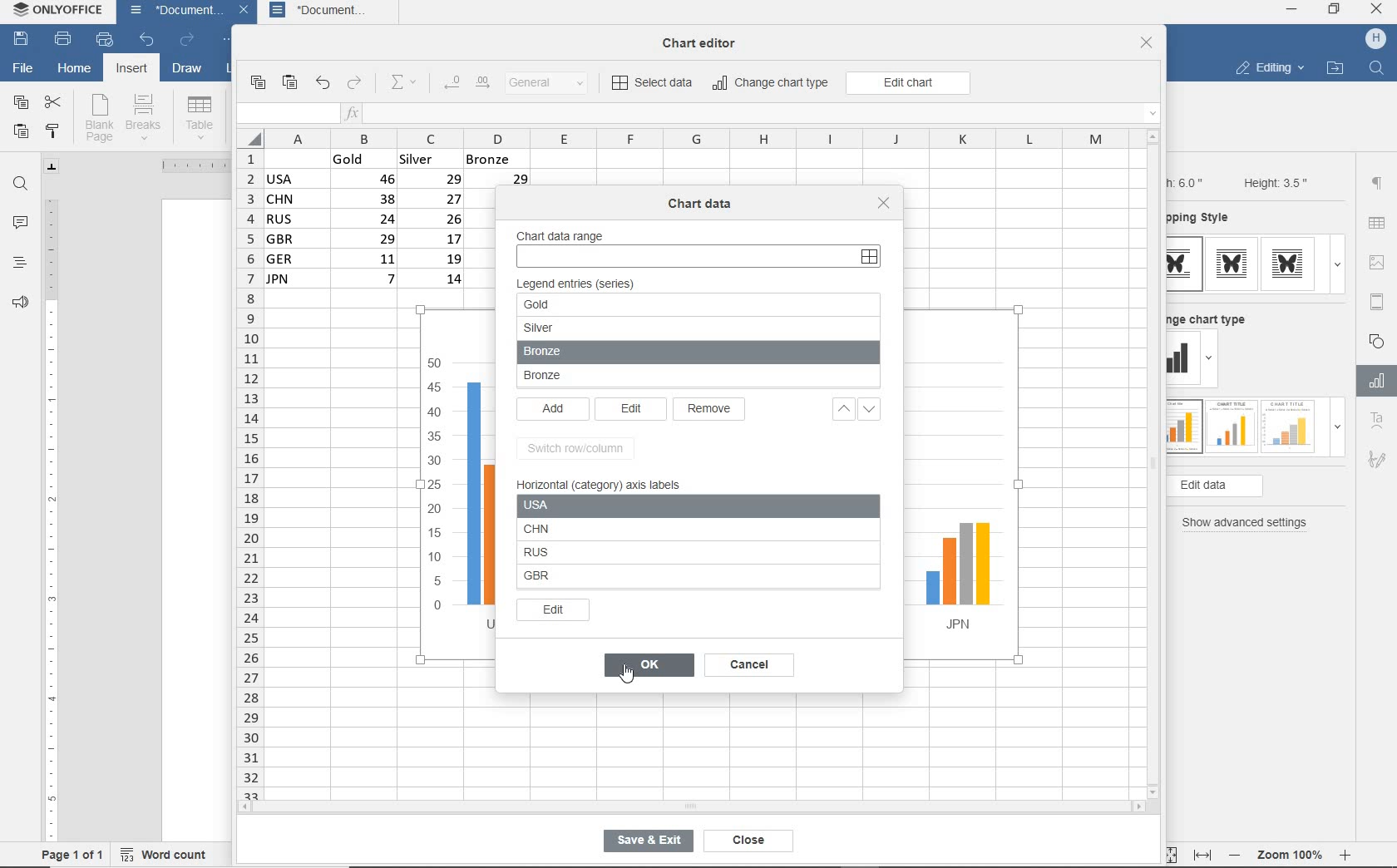 The width and height of the screenshot is (1397, 868). Describe the element at coordinates (1374, 381) in the screenshot. I see `Chart settings` at that location.